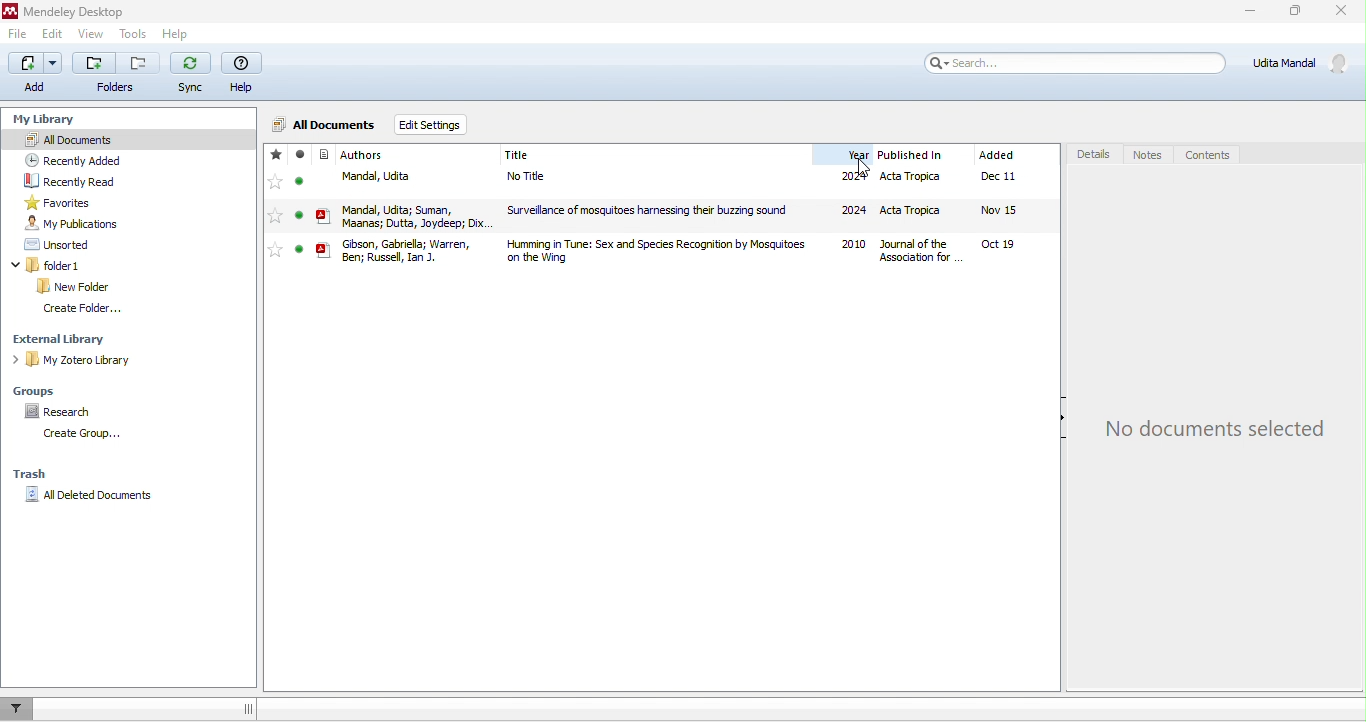  What do you see at coordinates (1054, 63) in the screenshot?
I see `search` at bounding box center [1054, 63].